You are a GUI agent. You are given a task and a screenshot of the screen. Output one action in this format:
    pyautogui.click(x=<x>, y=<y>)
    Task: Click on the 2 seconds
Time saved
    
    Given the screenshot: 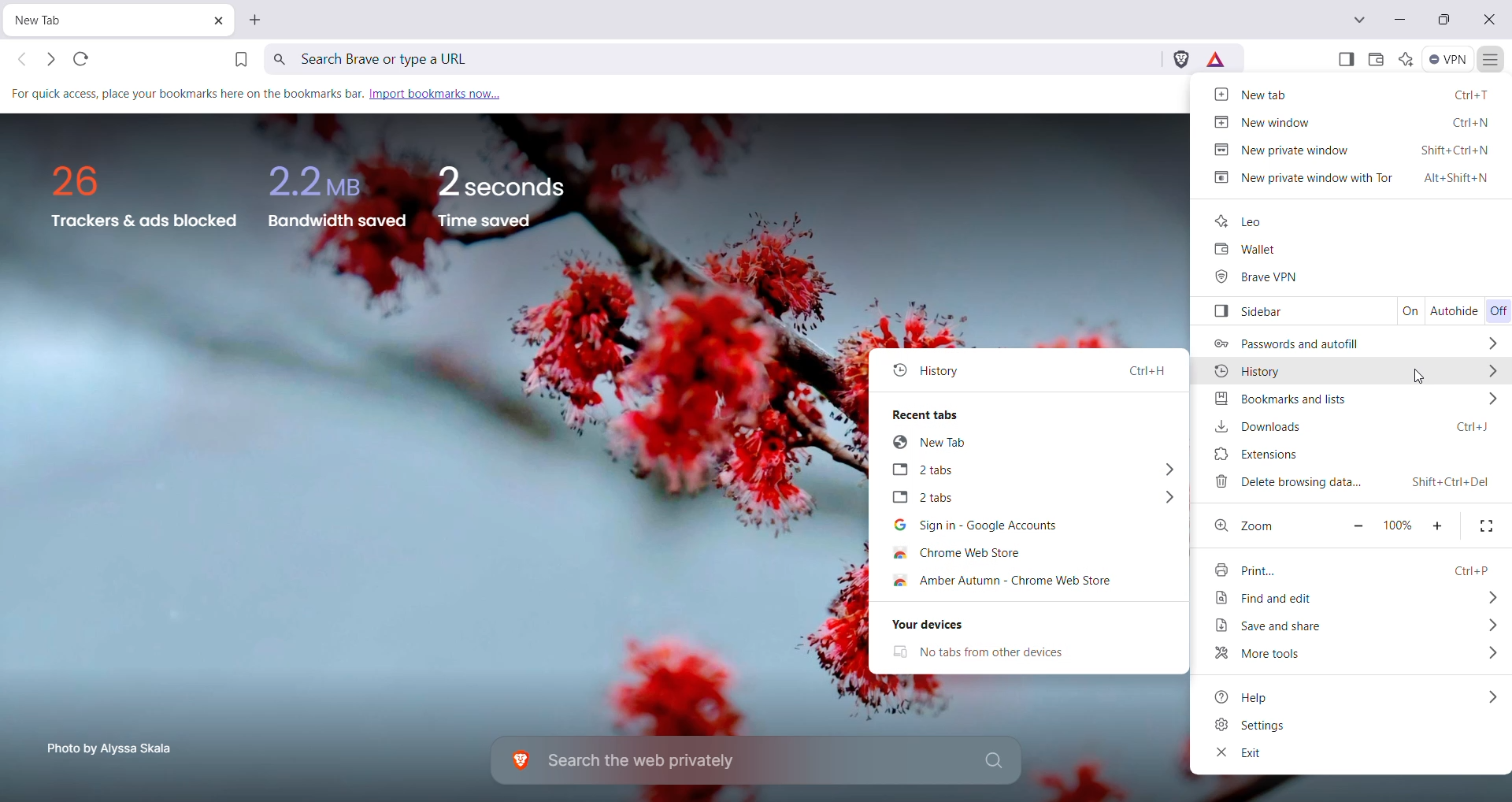 What is the action you would take?
    pyautogui.click(x=512, y=191)
    